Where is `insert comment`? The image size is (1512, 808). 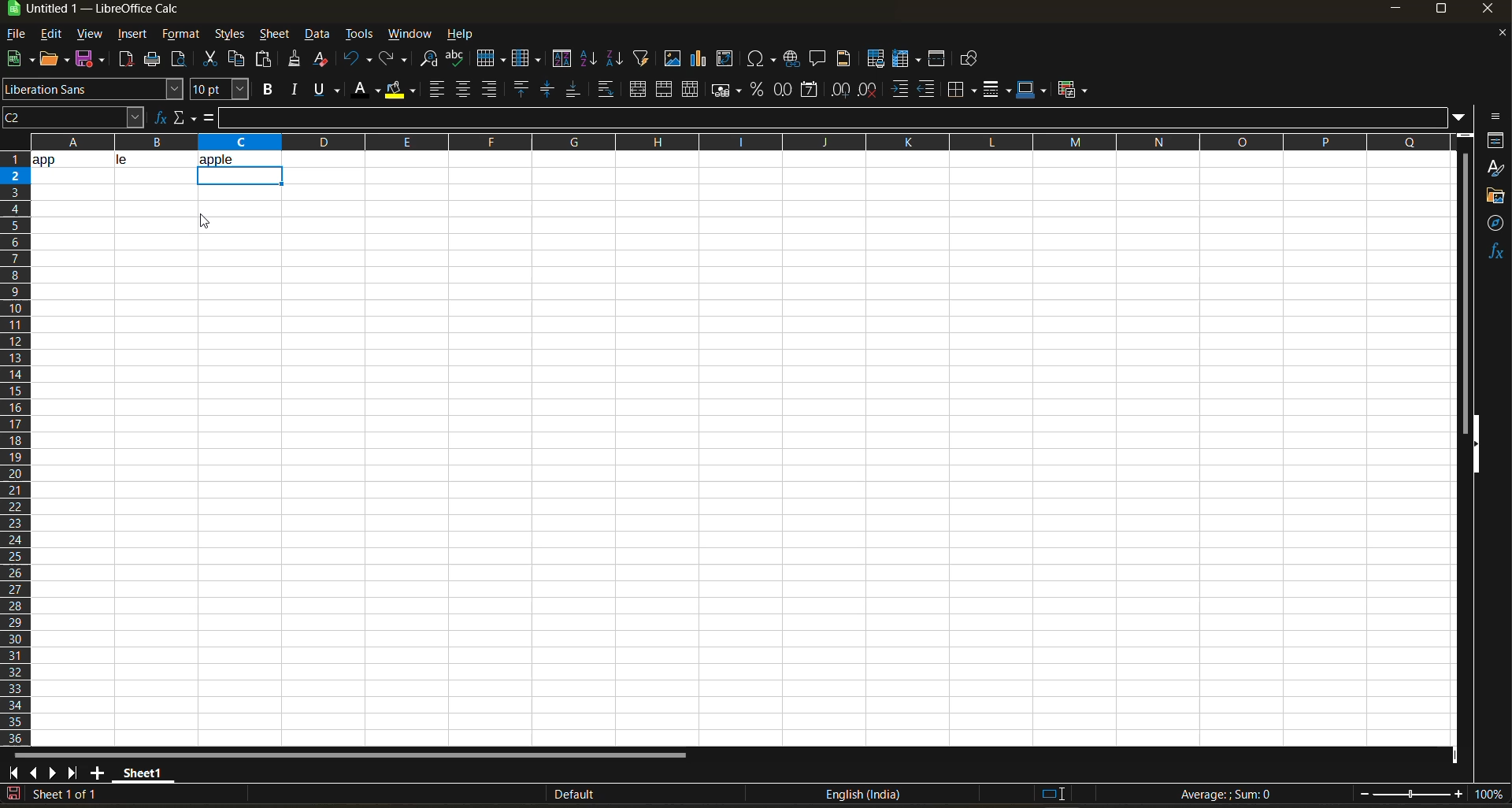 insert comment is located at coordinates (818, 59).